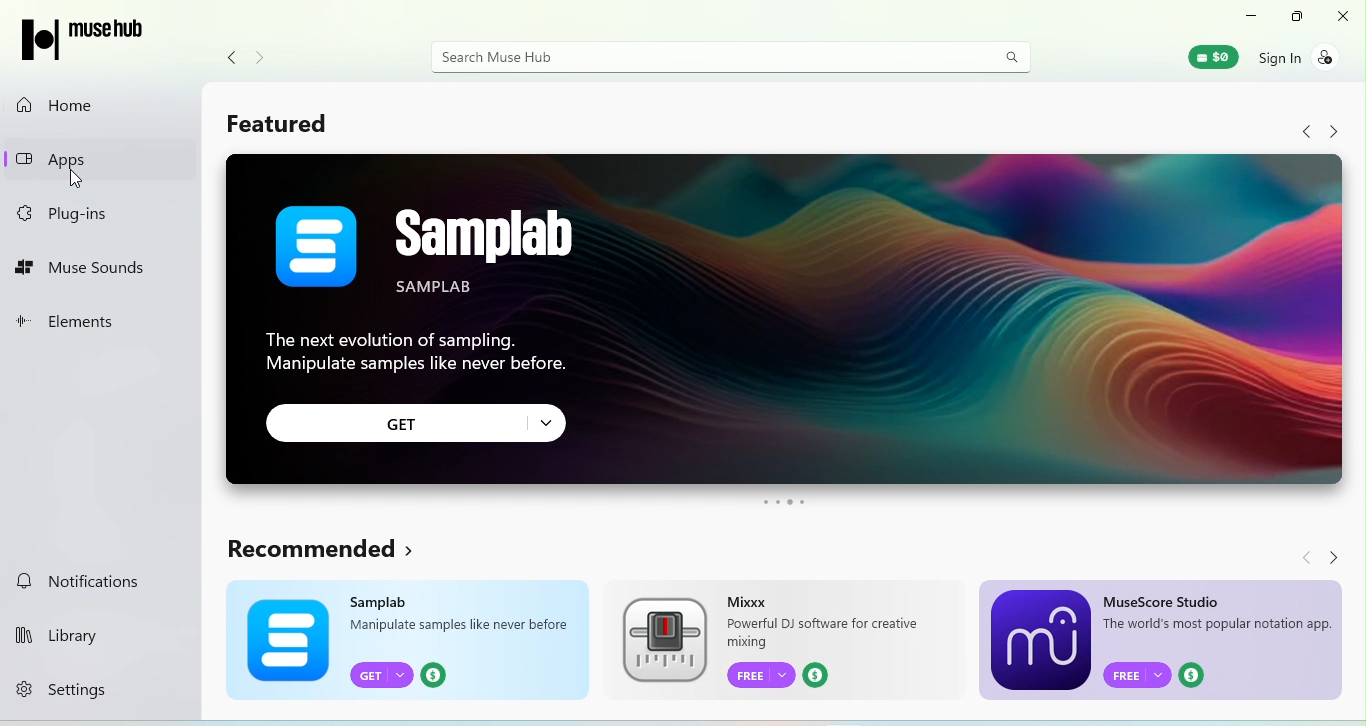 Image resolution: width=1366 pixels, height=726 pixels. Describe the element at coordinates (78, 180) in the screenshot. I see `Cursor` at that location.